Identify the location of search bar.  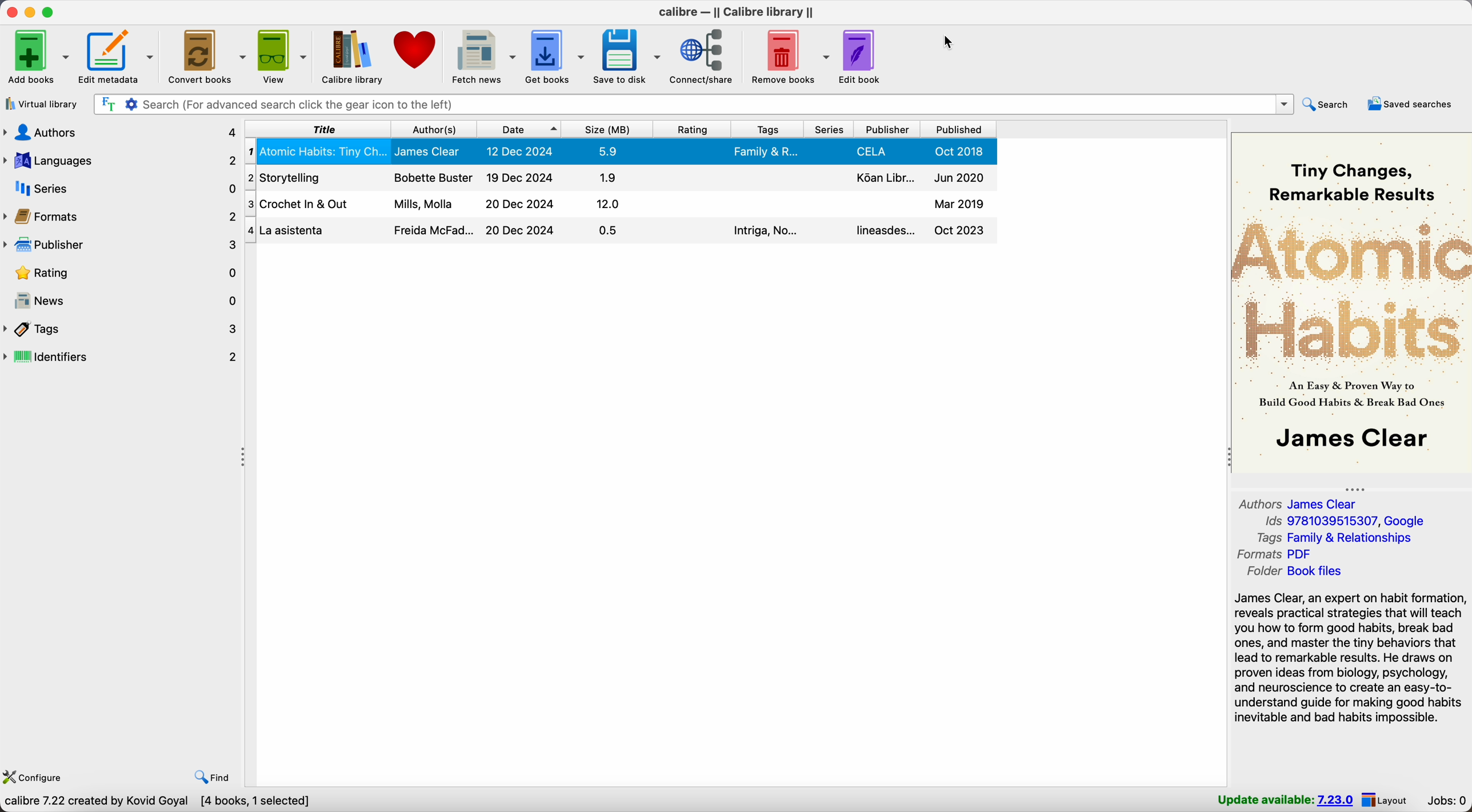
(691, 103).